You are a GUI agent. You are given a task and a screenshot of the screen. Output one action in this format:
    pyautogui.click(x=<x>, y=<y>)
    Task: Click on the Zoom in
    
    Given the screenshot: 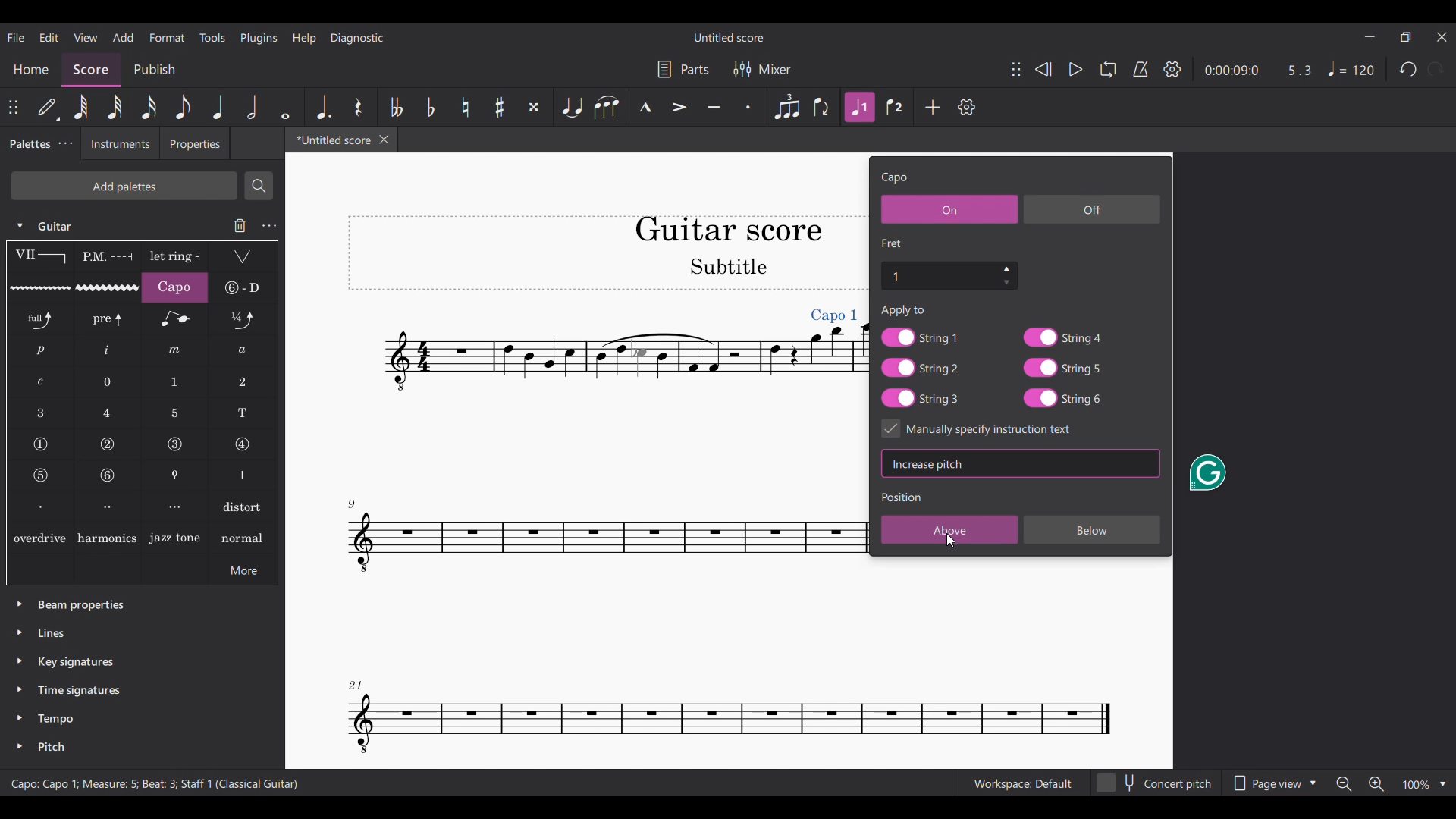 What is the action you would take?
    pyautogui.click(x=1376, y=784)
    